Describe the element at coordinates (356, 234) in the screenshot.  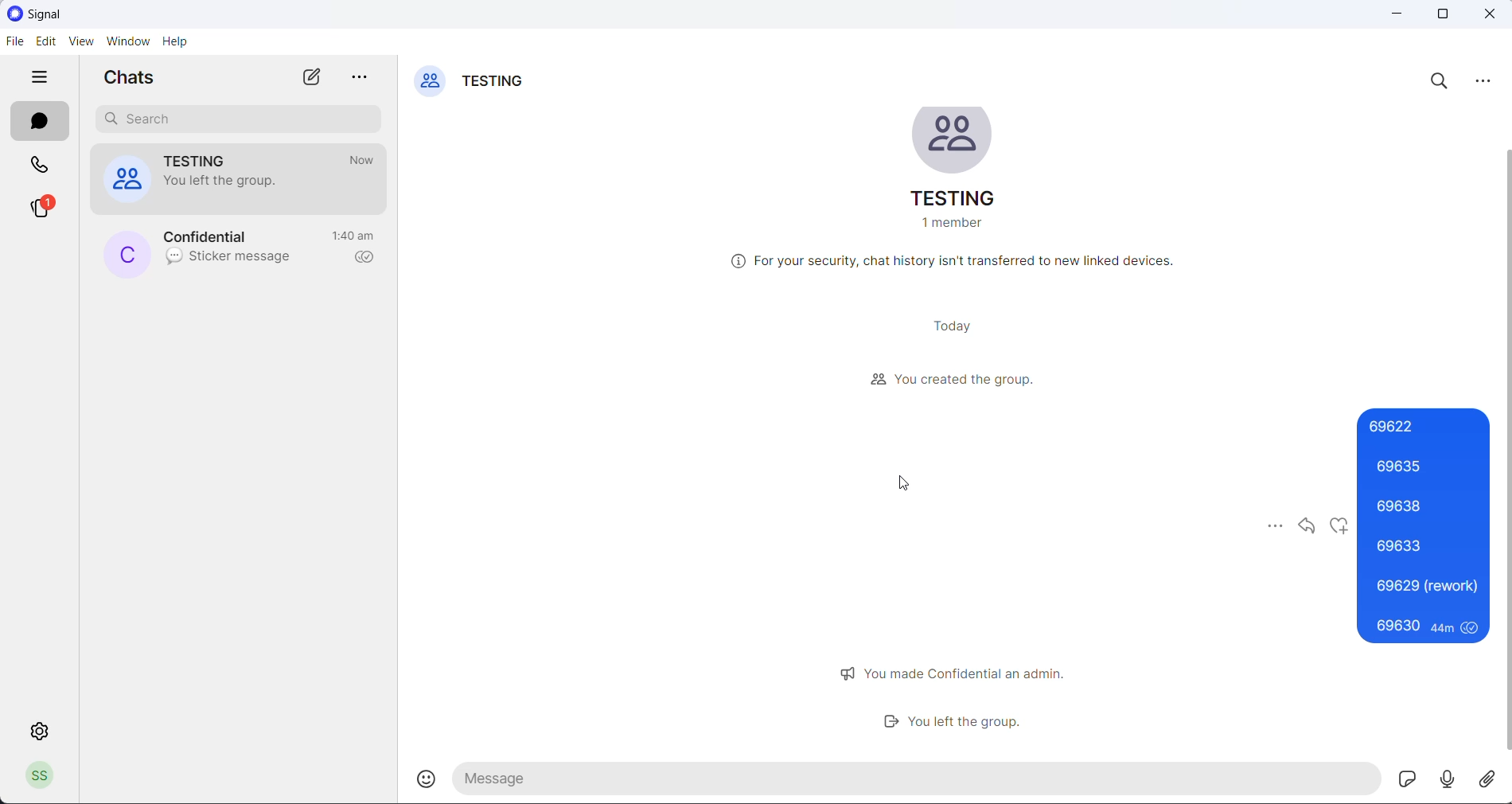
I see `last active time` at that location.